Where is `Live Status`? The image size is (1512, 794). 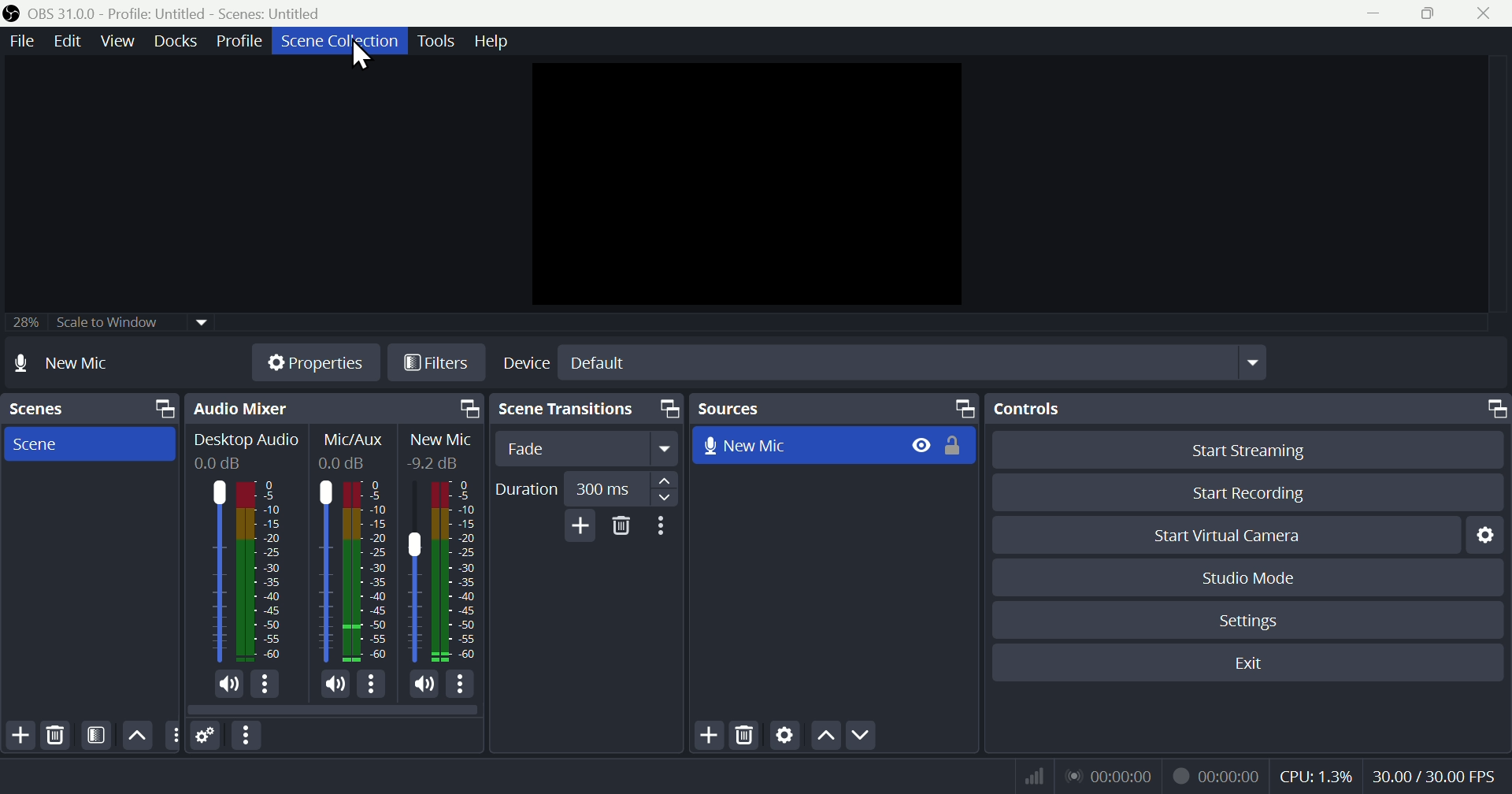
Live Status is located at coordinates (1110, 776).